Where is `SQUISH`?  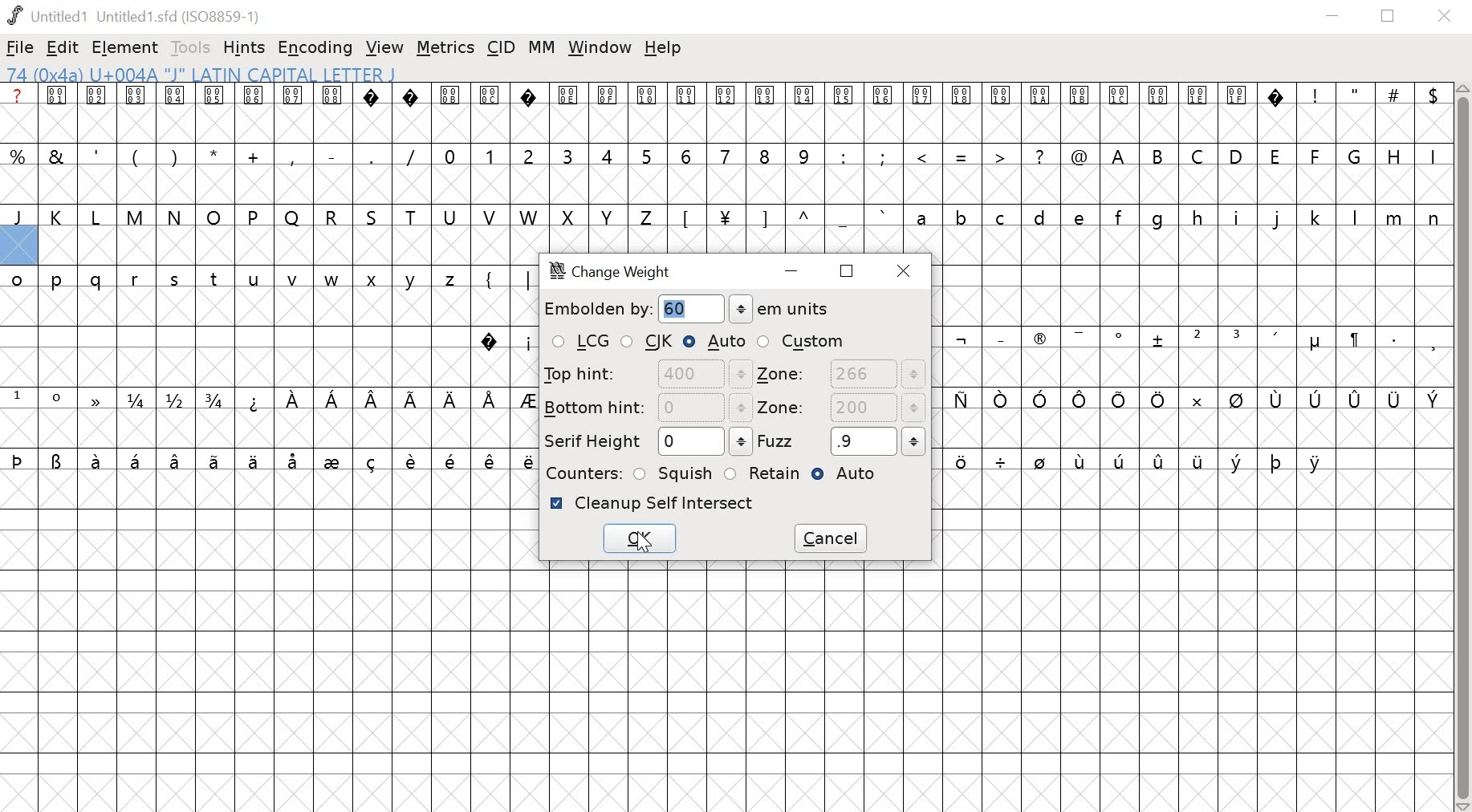 SQUISH is located at coordinates (674, 472).